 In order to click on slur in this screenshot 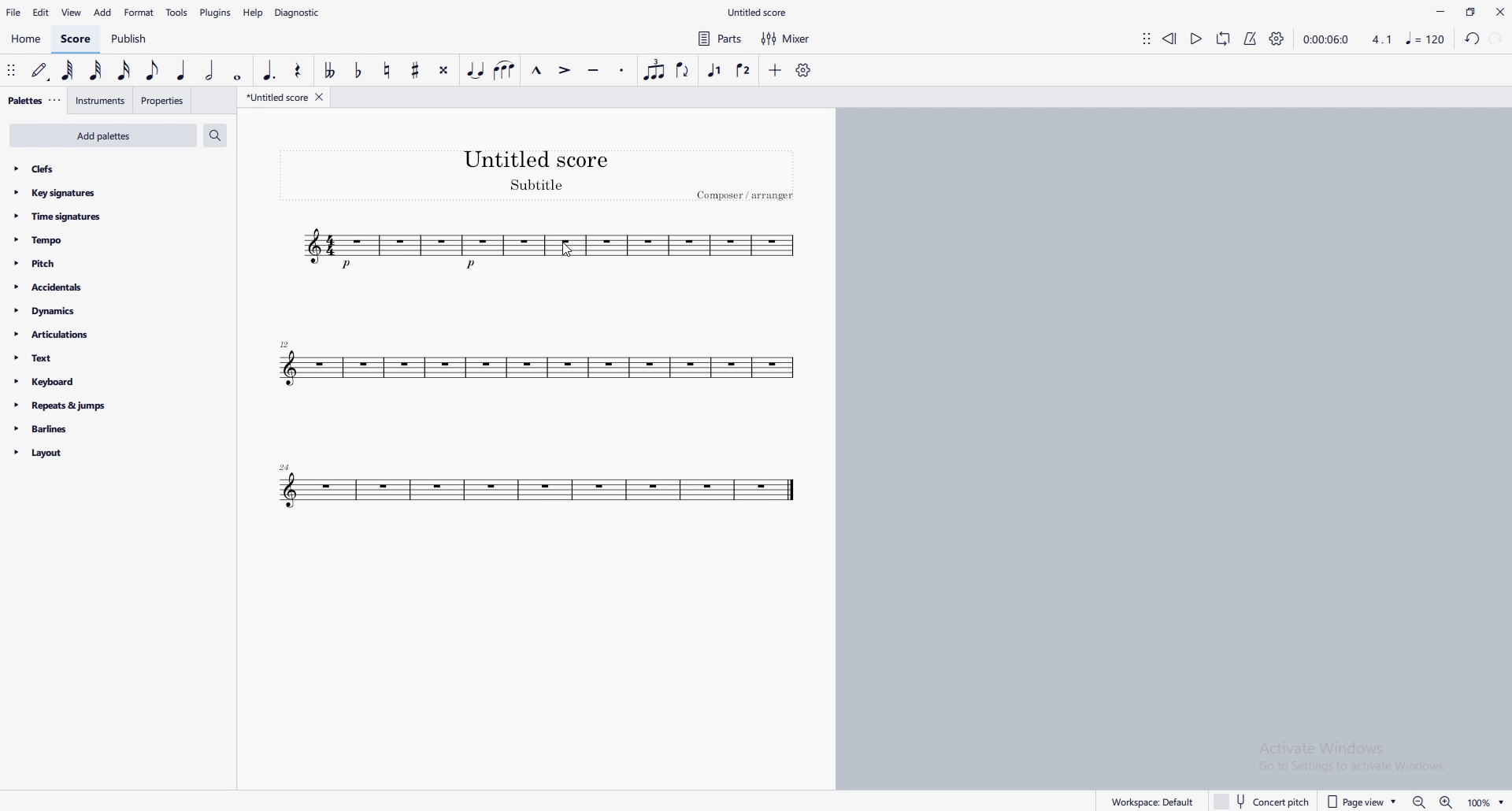, I will do `click(503, 70)`.